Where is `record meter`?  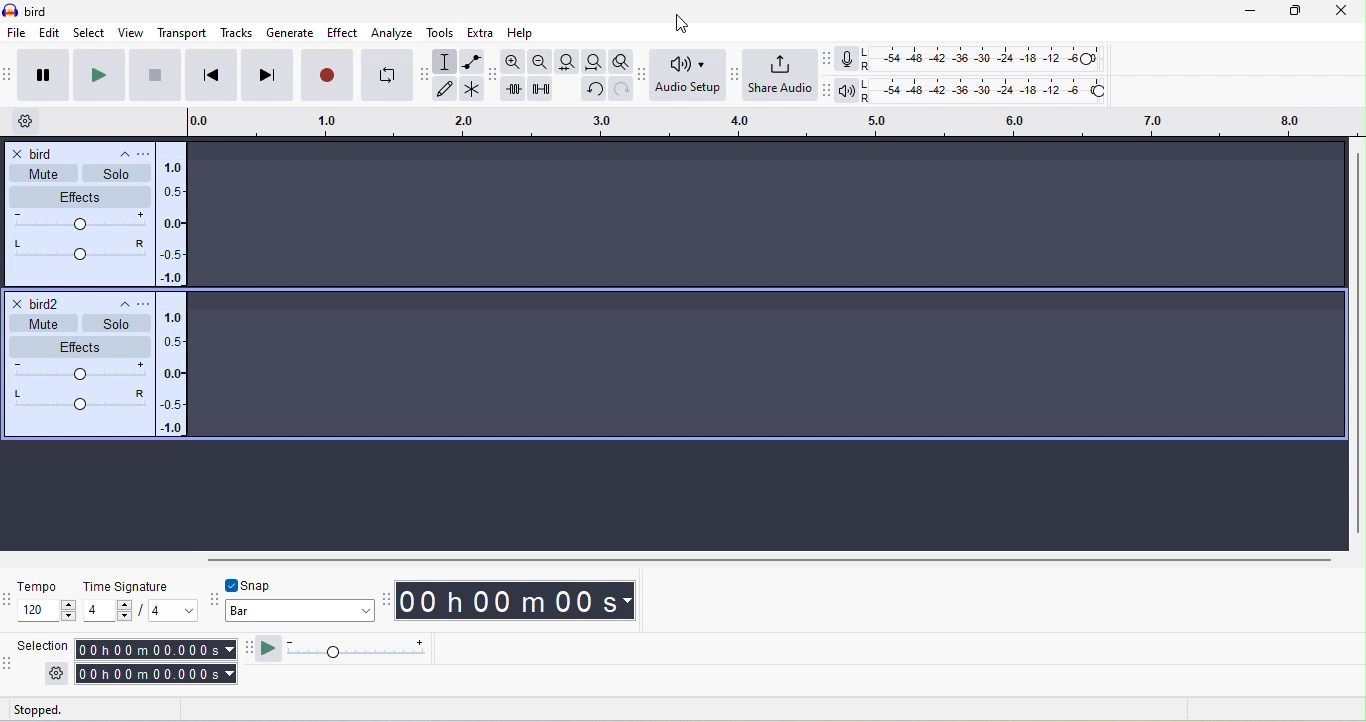 record meter is located at coordinates (843, 58).